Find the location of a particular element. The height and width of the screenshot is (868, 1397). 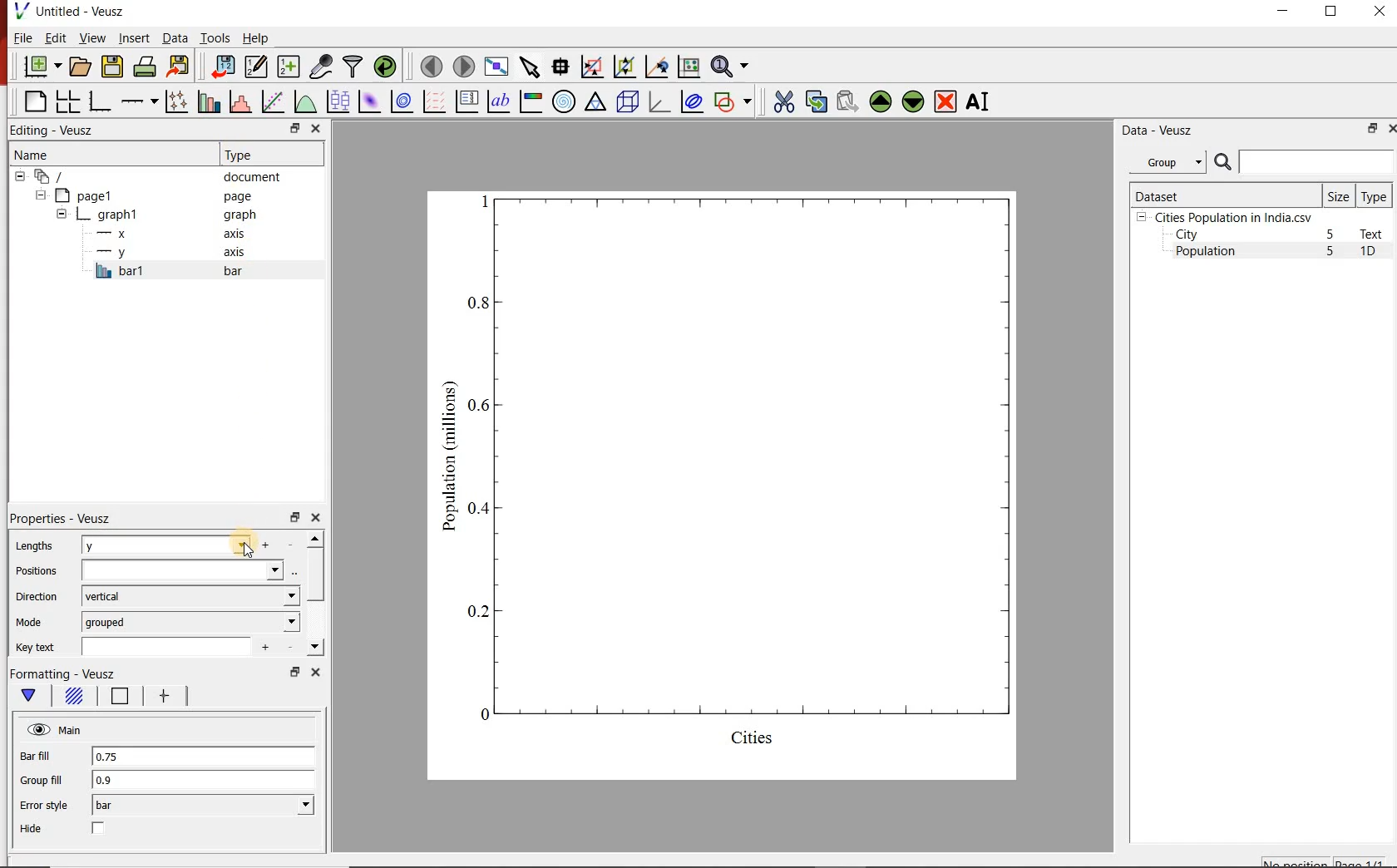

0.9 is located at coordinates (204, 781).